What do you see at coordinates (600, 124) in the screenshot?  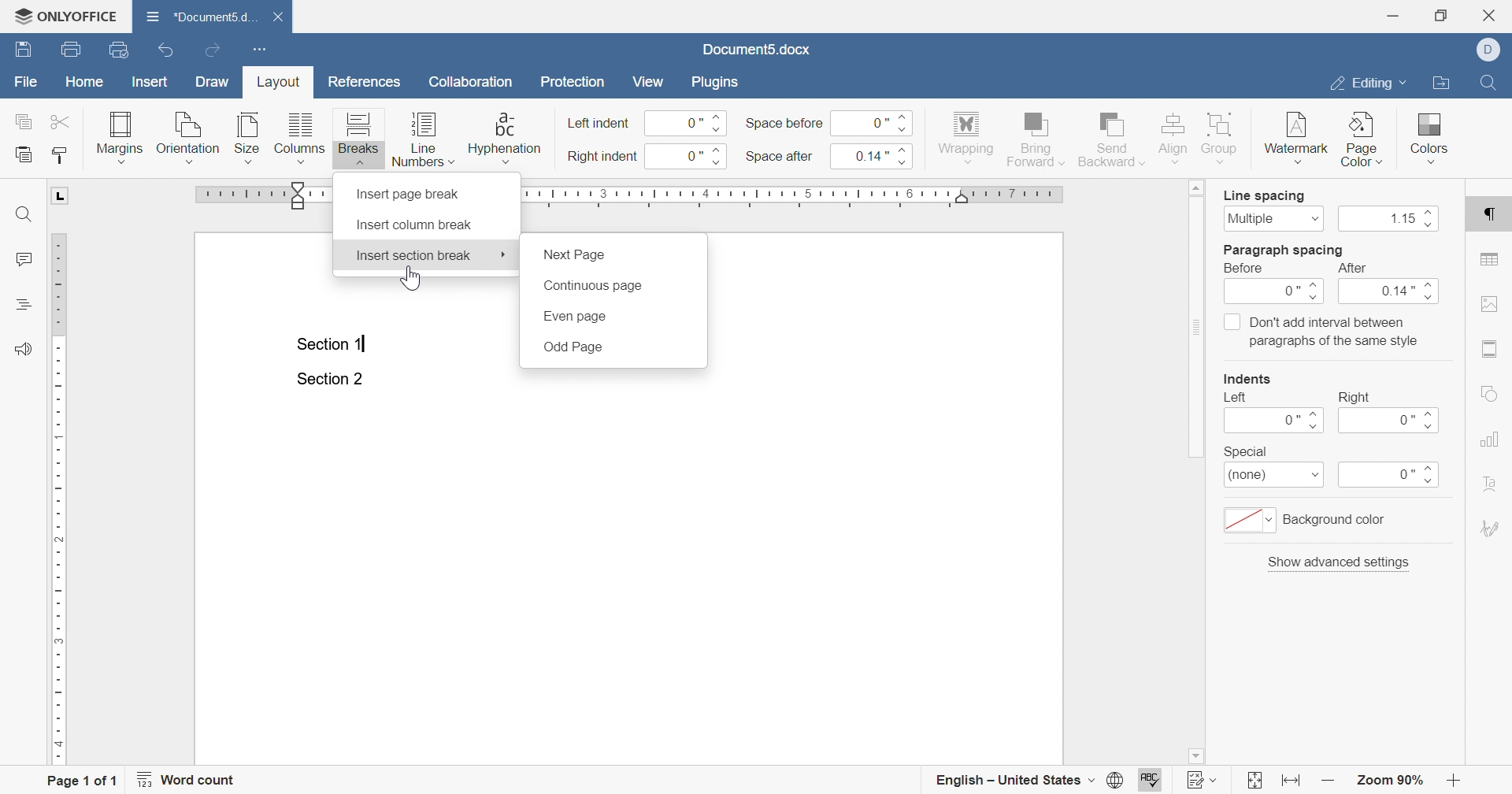 I see `left indent` at bounding box center [600, 124].